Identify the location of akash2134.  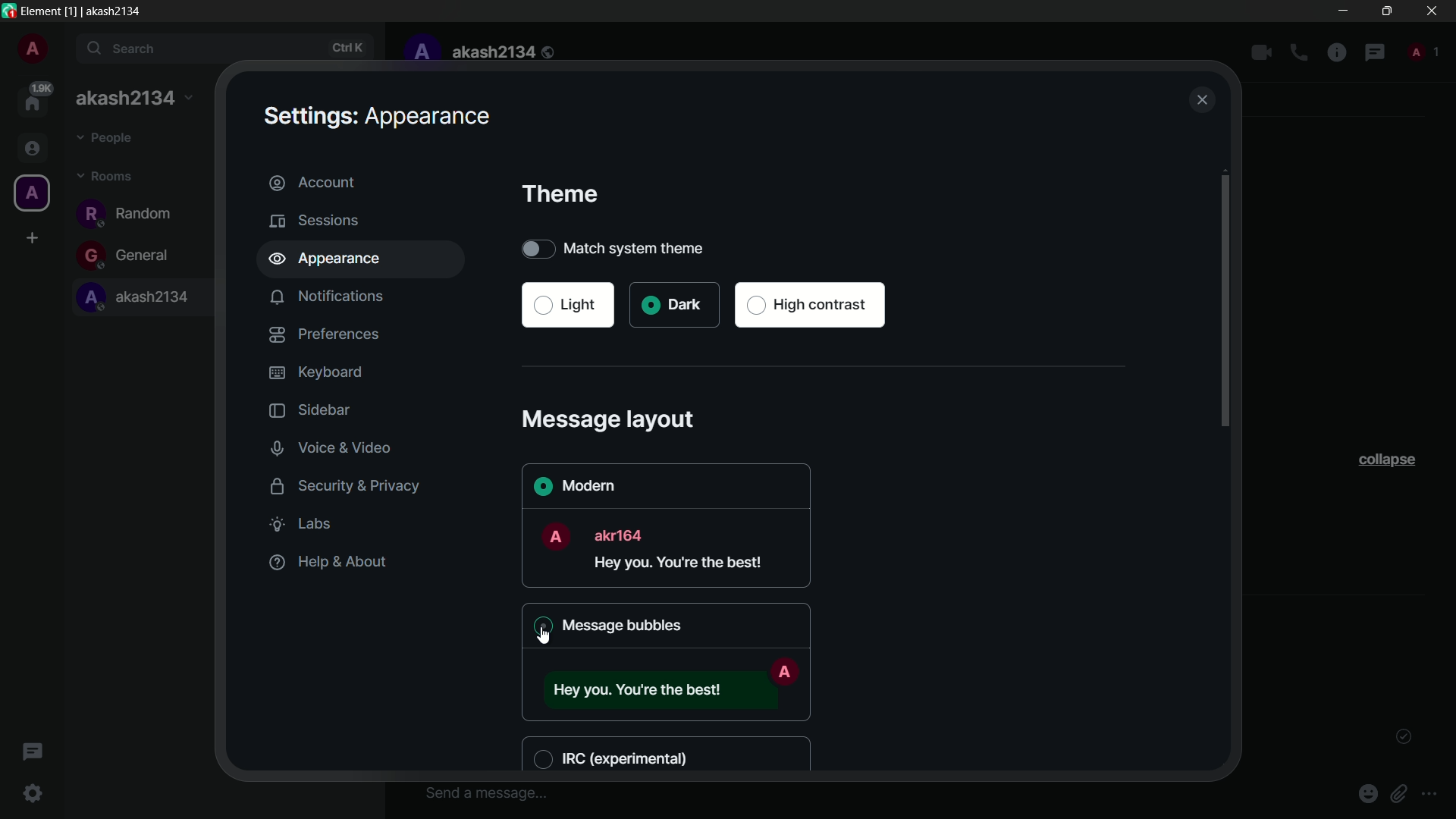
(133, 100).